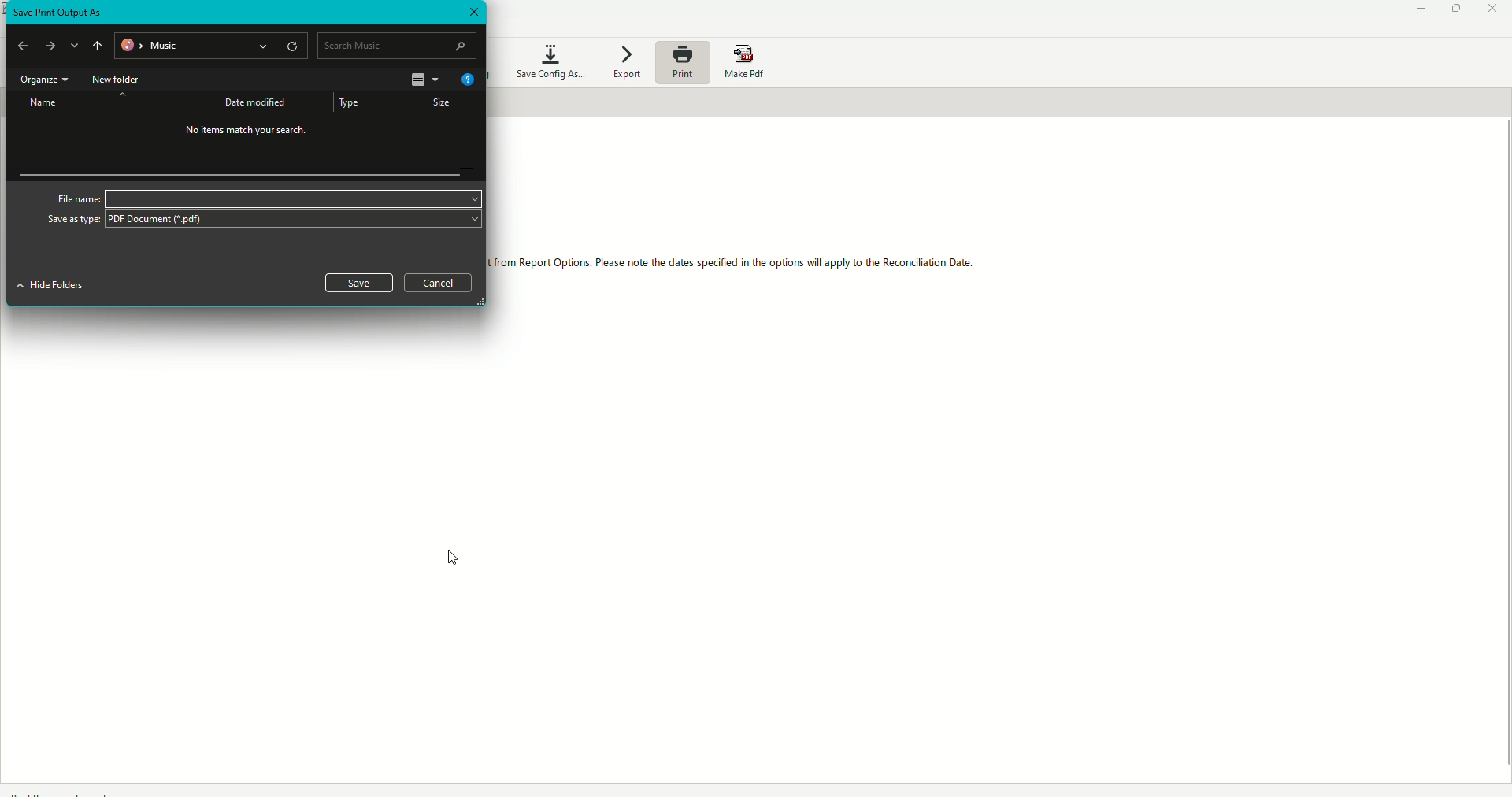  Describe the element at coordinates (456, 558) in the screenshot. I see `Cursor` at that location.